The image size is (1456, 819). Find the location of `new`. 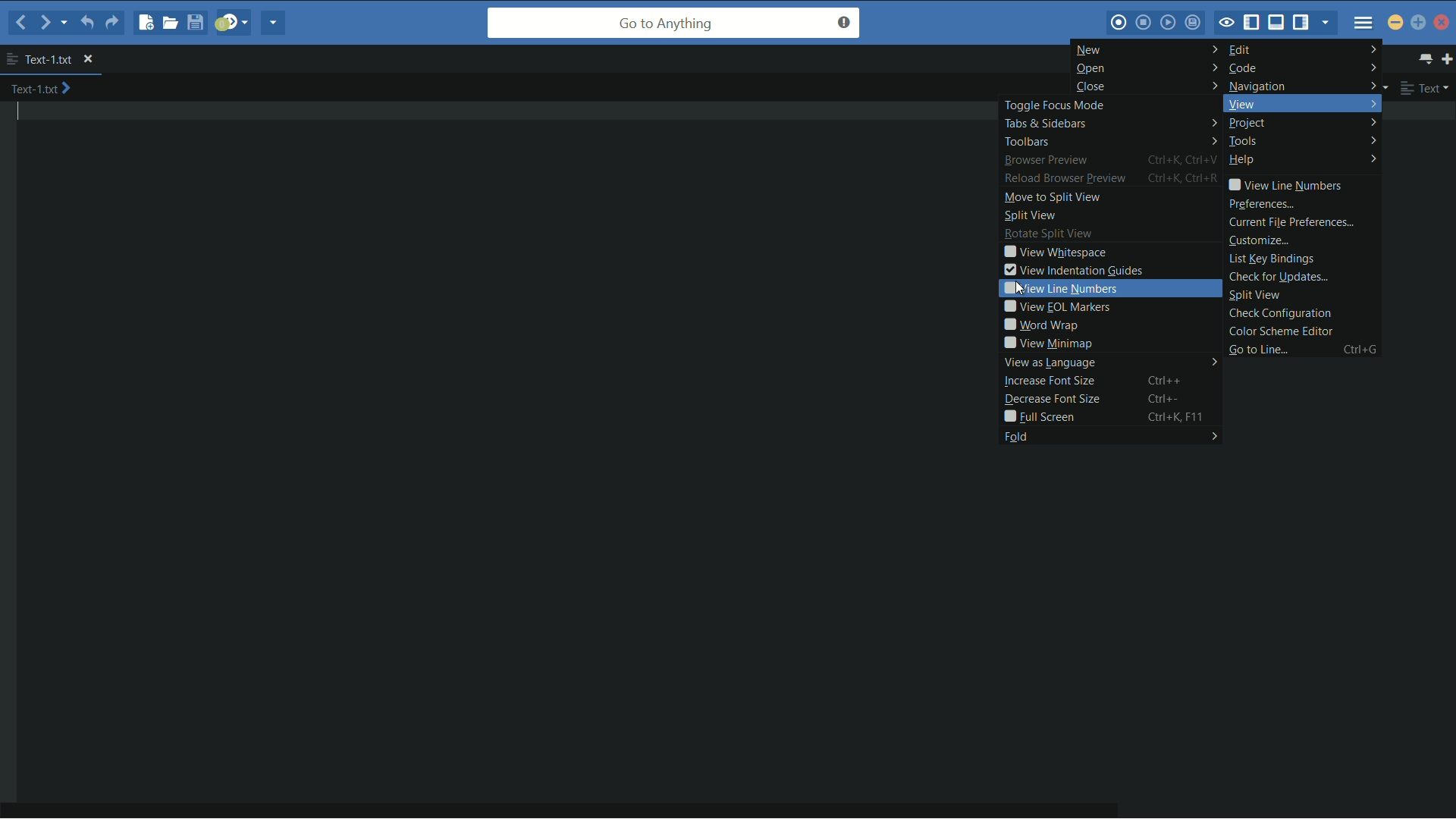

new is located at coordinates (1147, 49).